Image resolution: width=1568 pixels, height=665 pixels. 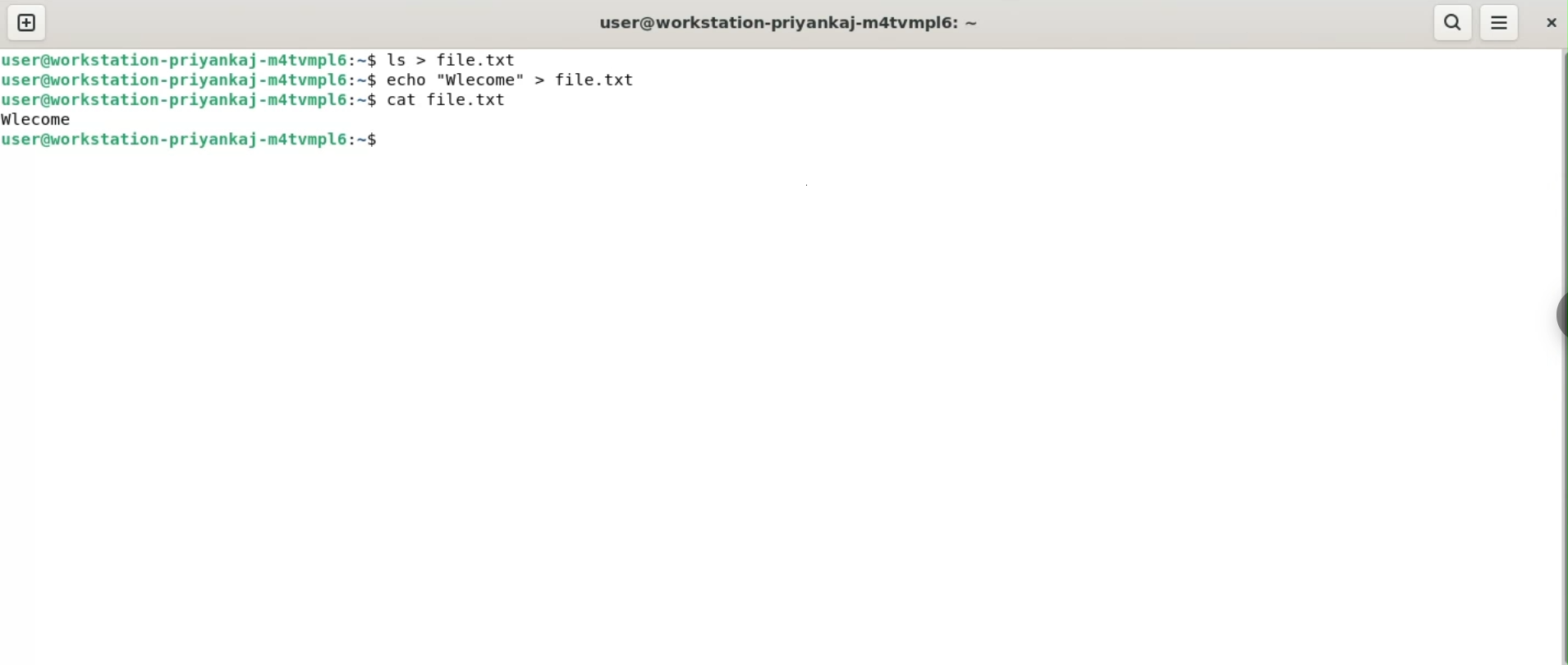 What do you see at coordinates (522, 80) in the screenshot?
I see `echo "Wlecome" > file.txt` at bounding box center [522, 80].